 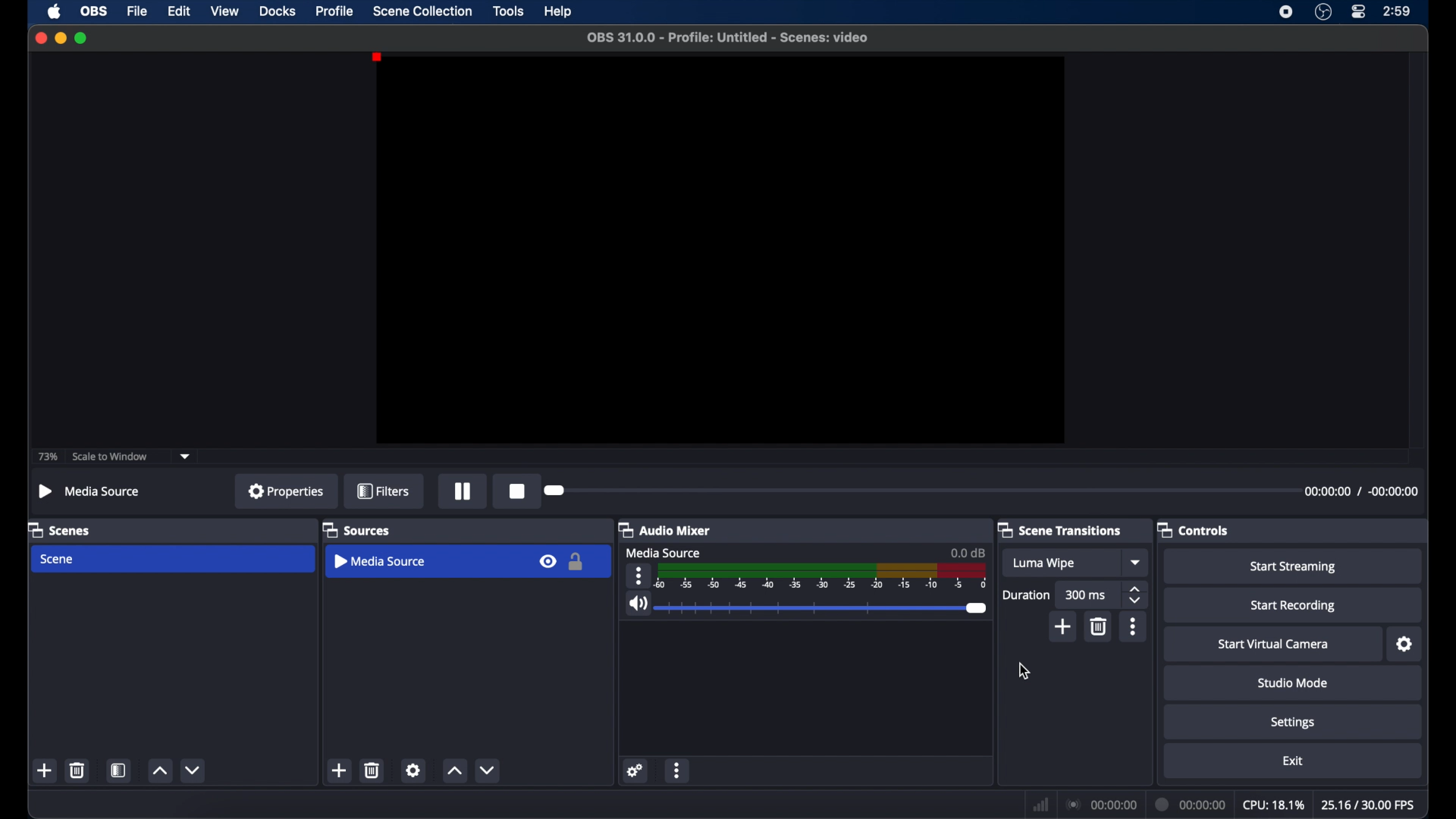 What do you see at coordinates (454, 771) in the screenshot?
I see `increment` at bounding box center [454, 771].